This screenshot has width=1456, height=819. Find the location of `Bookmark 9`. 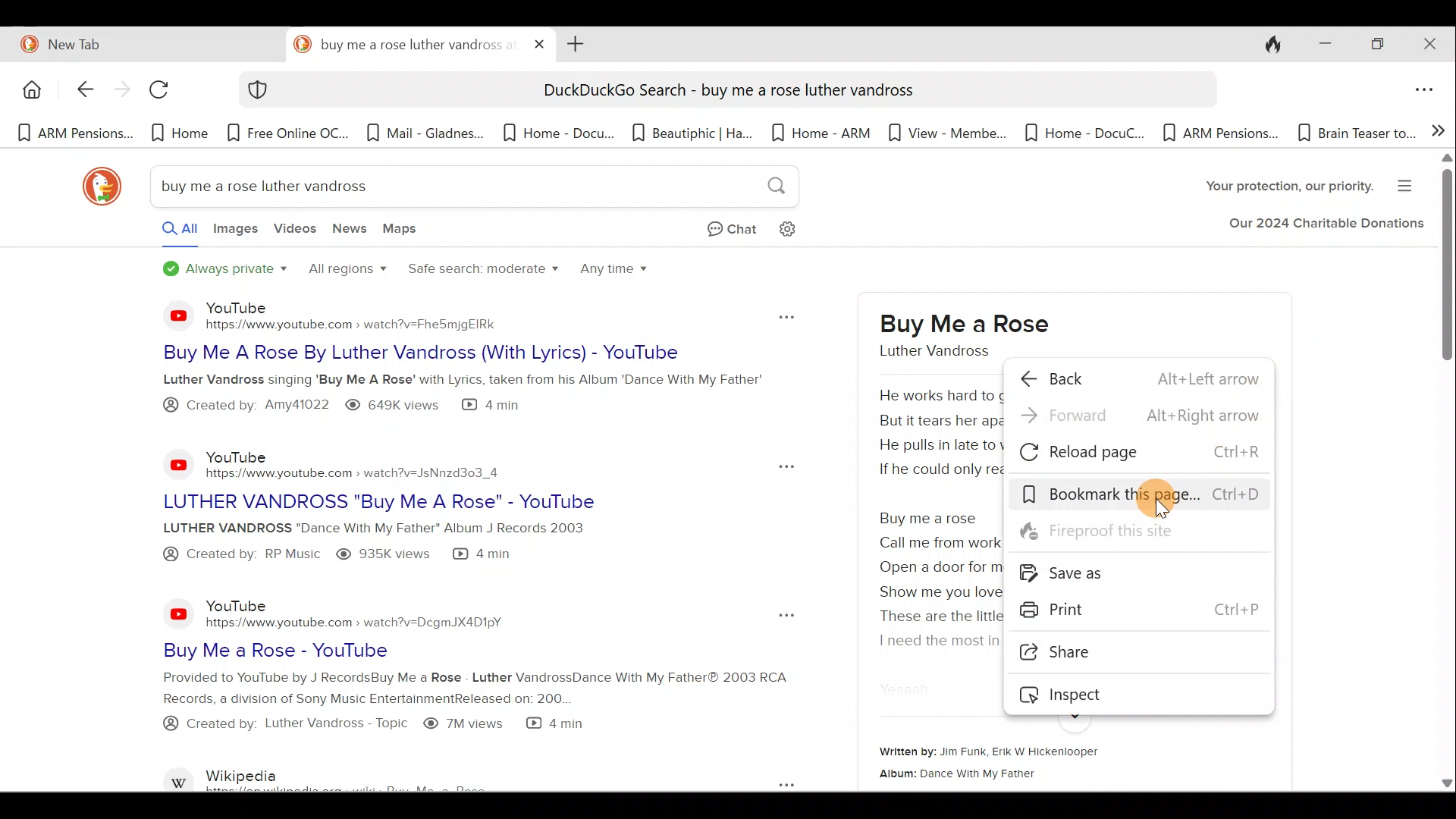

Bookmark 9 is located at coordinates (1077, 133).